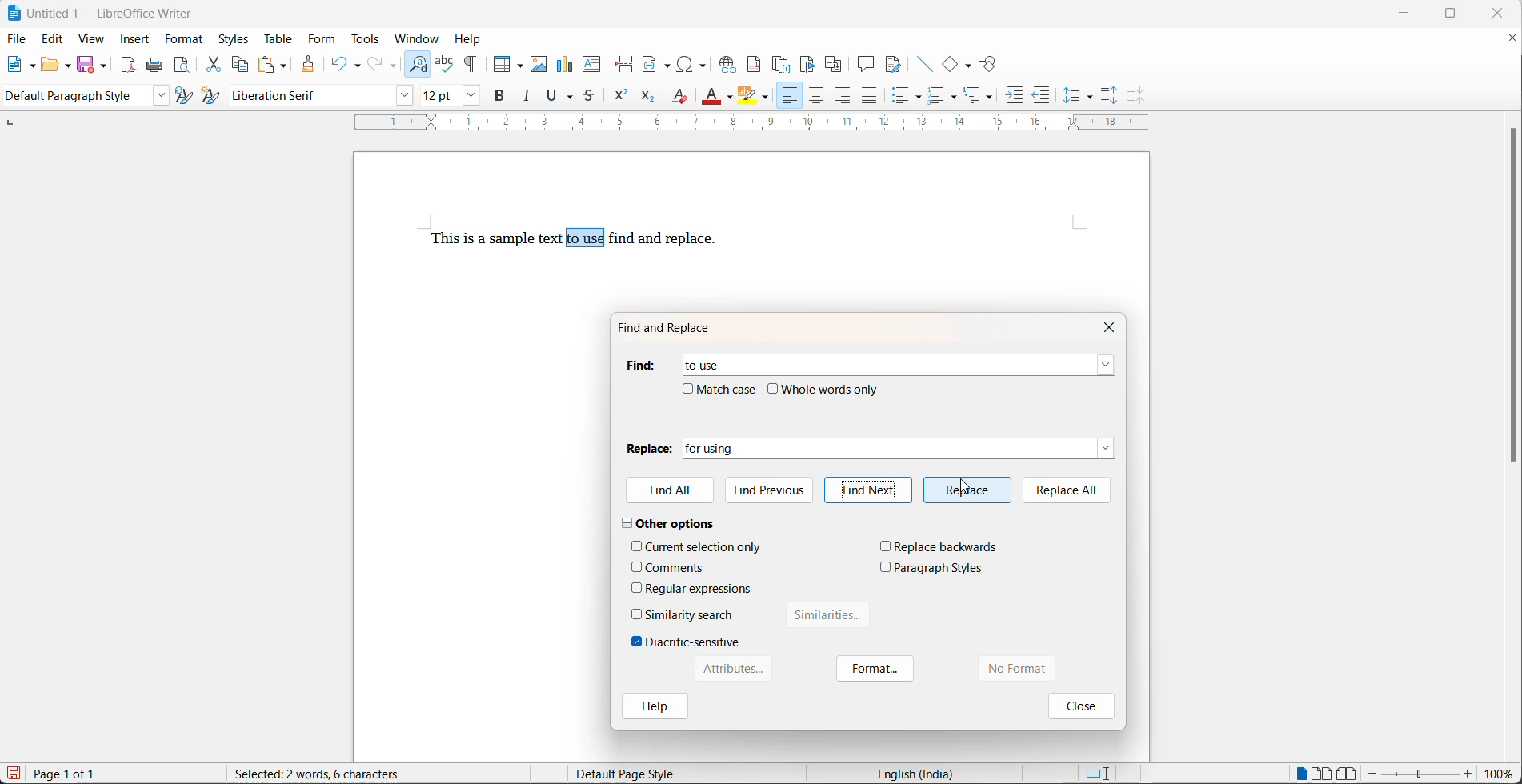 The image size is (1522, 784). What do you see at coordinates (436, 98) in the screenshot?
I see `font size` at bounding box center [436, 98].